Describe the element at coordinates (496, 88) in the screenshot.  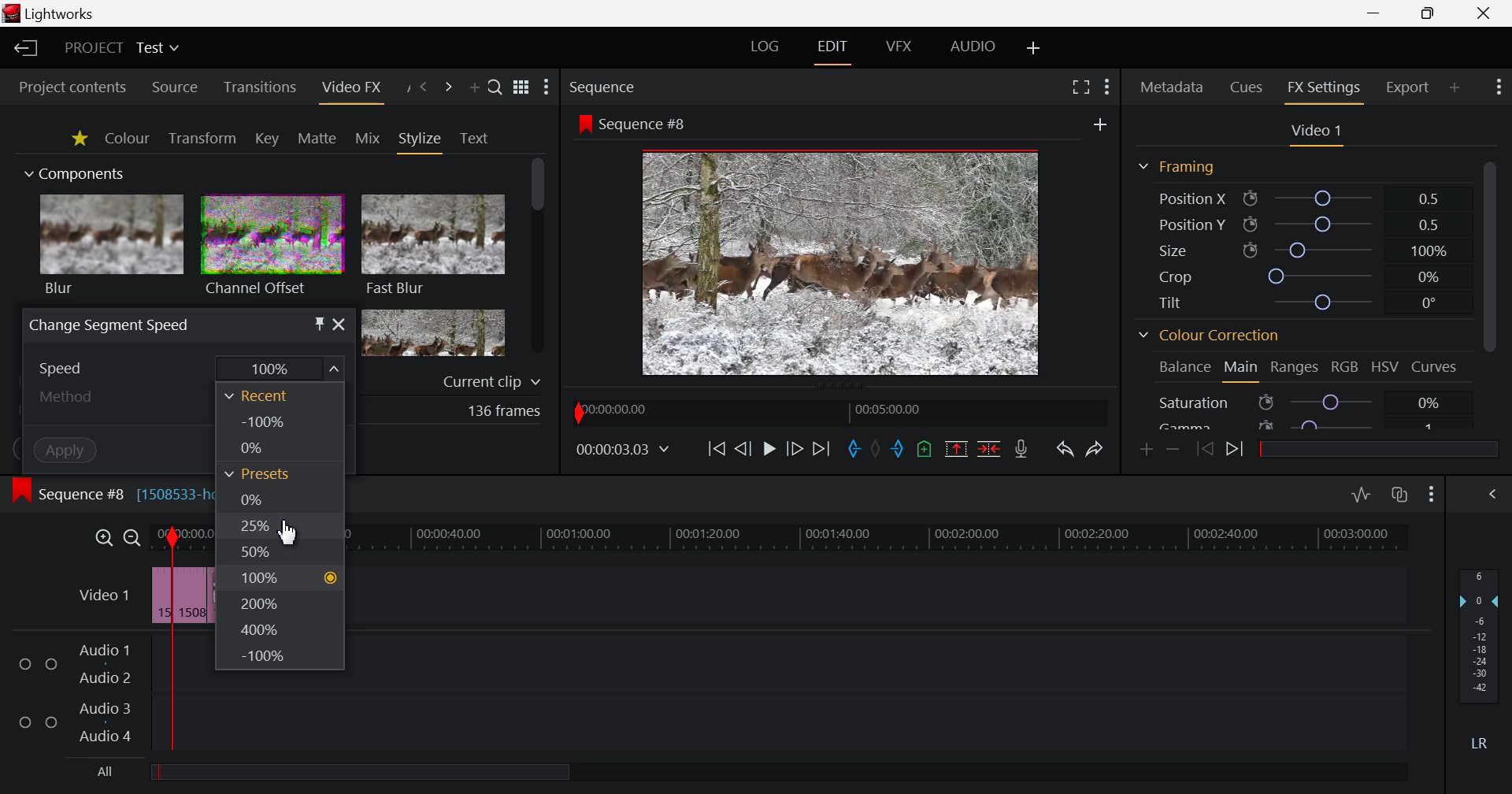
I see `Search` at that location.